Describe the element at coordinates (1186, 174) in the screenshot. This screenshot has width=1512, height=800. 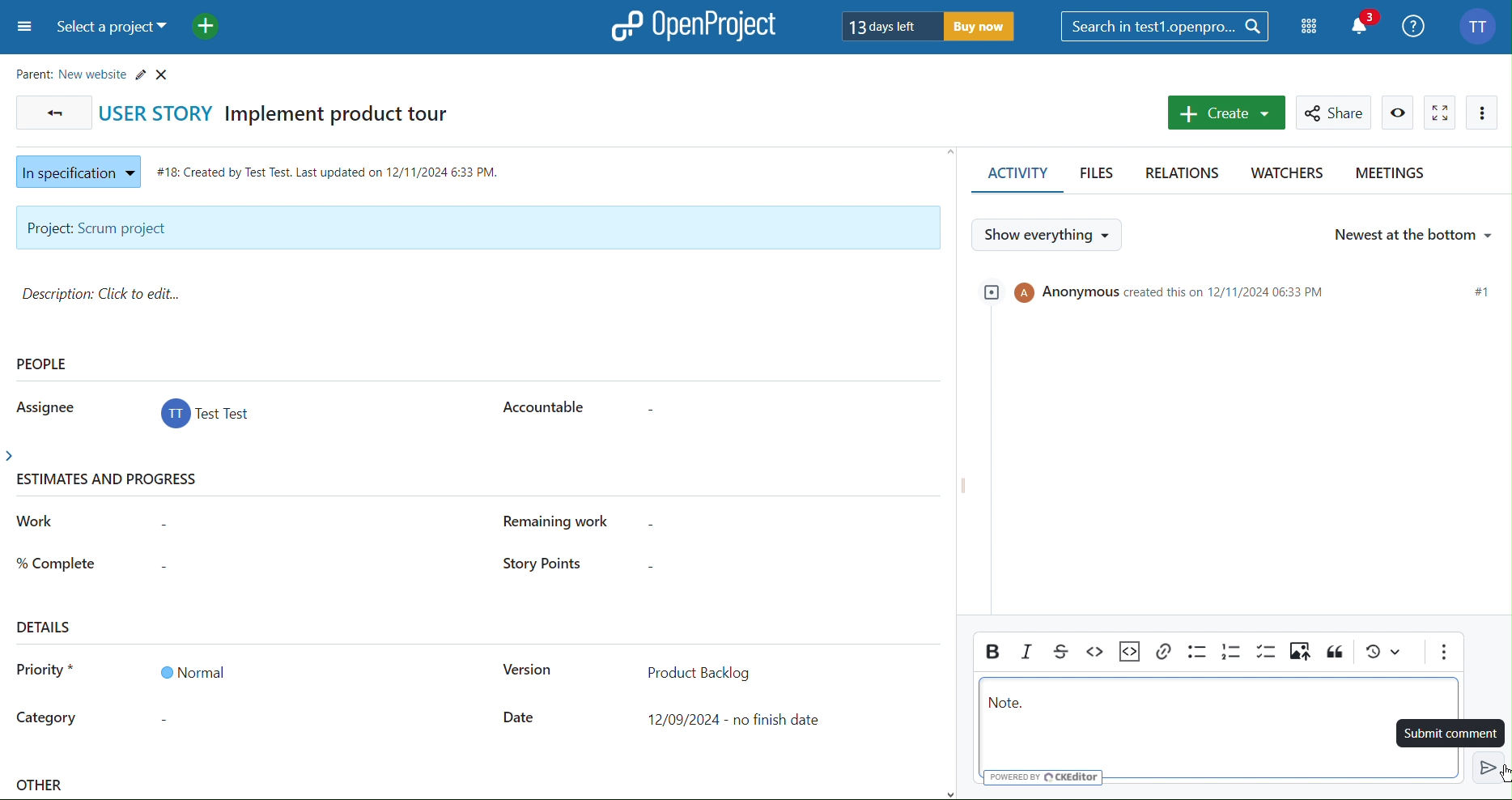
I see `Relations` at that location.